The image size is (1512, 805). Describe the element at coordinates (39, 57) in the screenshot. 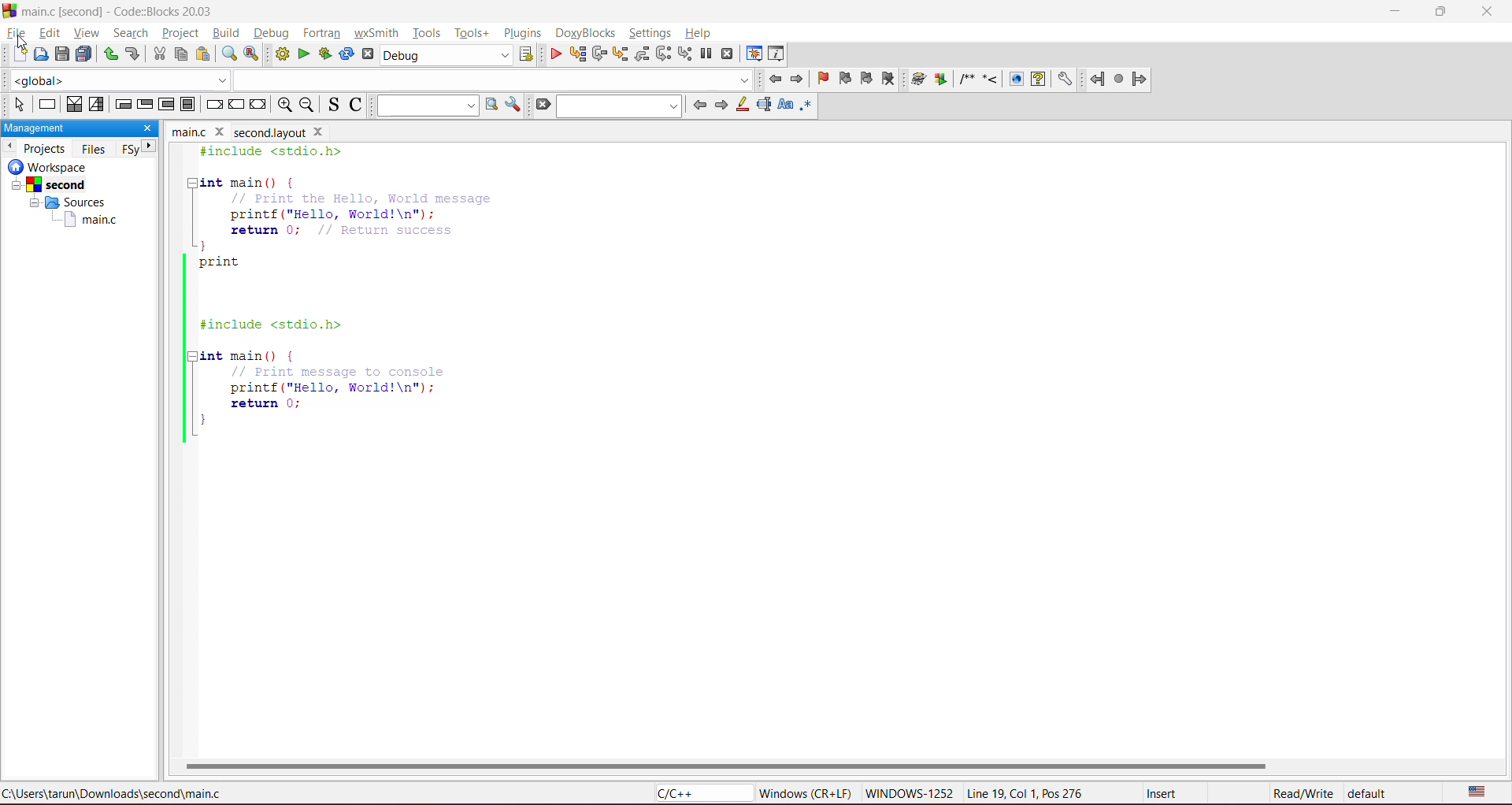

I see `open` at that location.